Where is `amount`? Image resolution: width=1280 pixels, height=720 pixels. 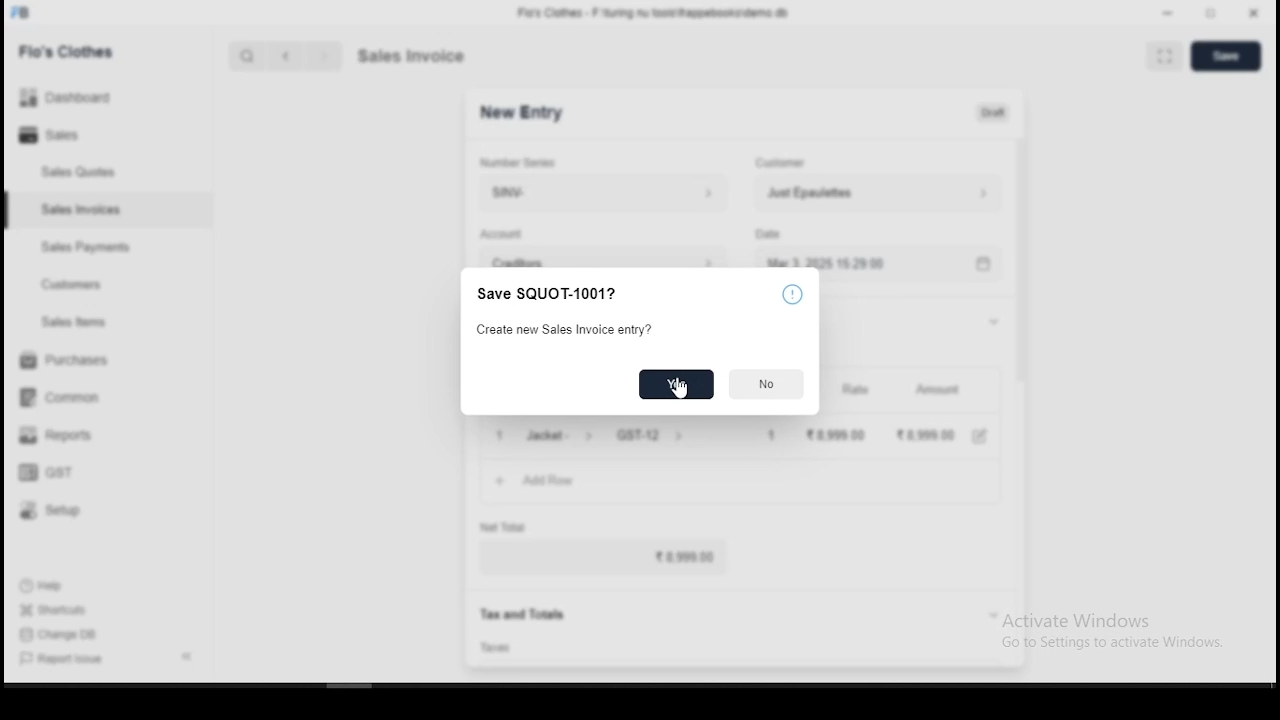
amount is located at coordinates (942, 390).